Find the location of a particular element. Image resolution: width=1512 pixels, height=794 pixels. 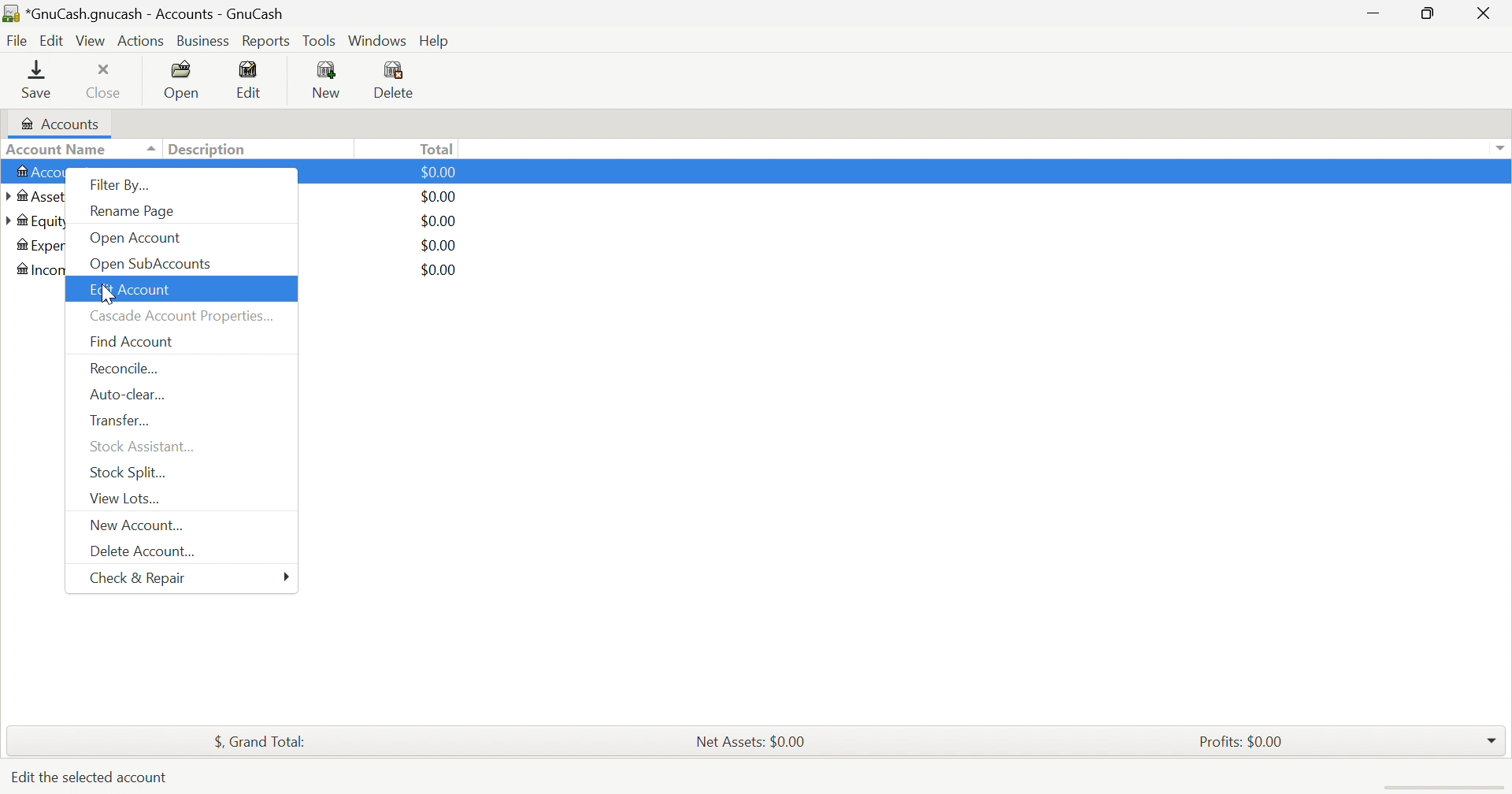

Open Account is located at coordinates (139, 237).